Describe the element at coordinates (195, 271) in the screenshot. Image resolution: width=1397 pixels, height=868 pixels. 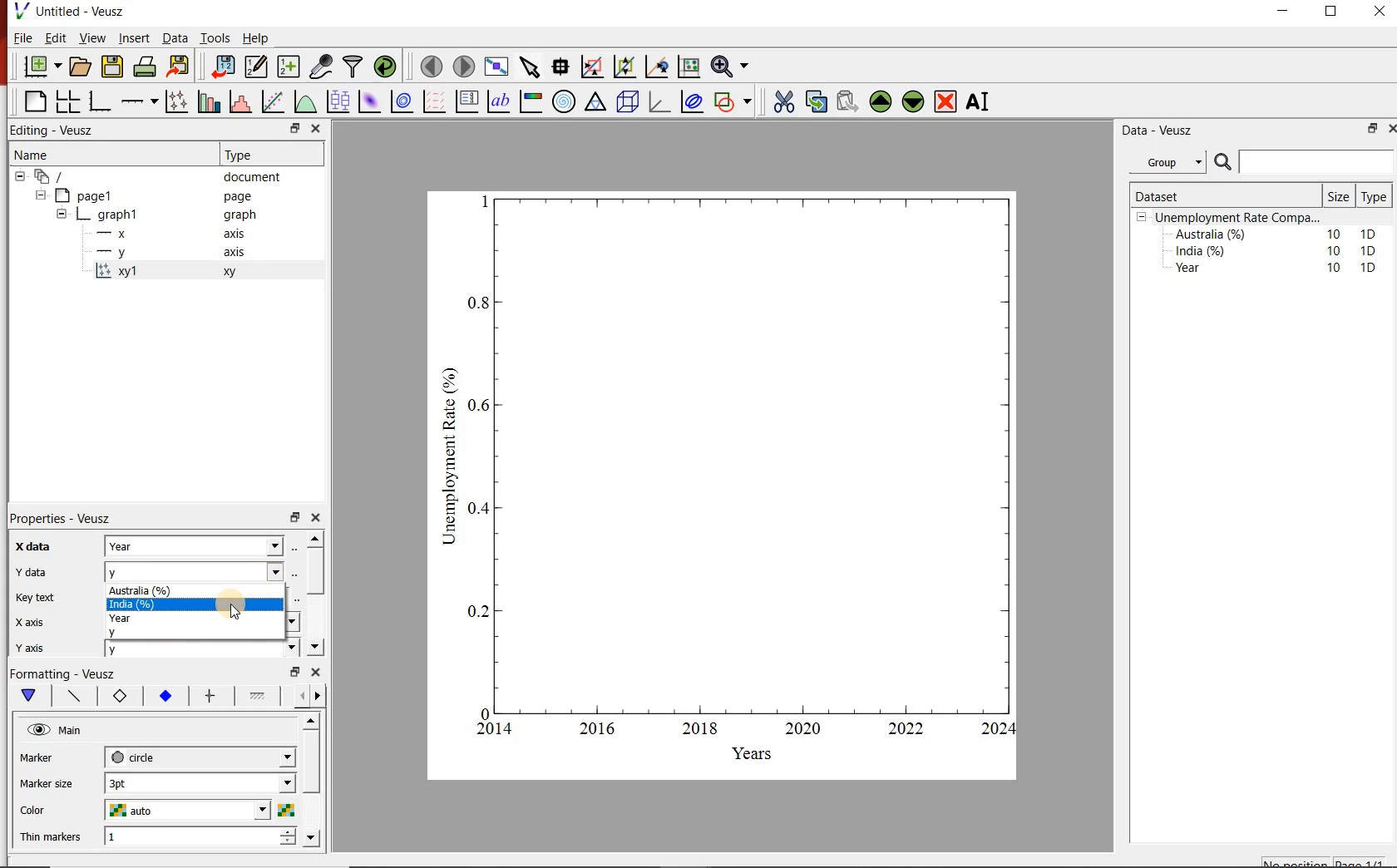
I see `xy 1 xy` at that location.